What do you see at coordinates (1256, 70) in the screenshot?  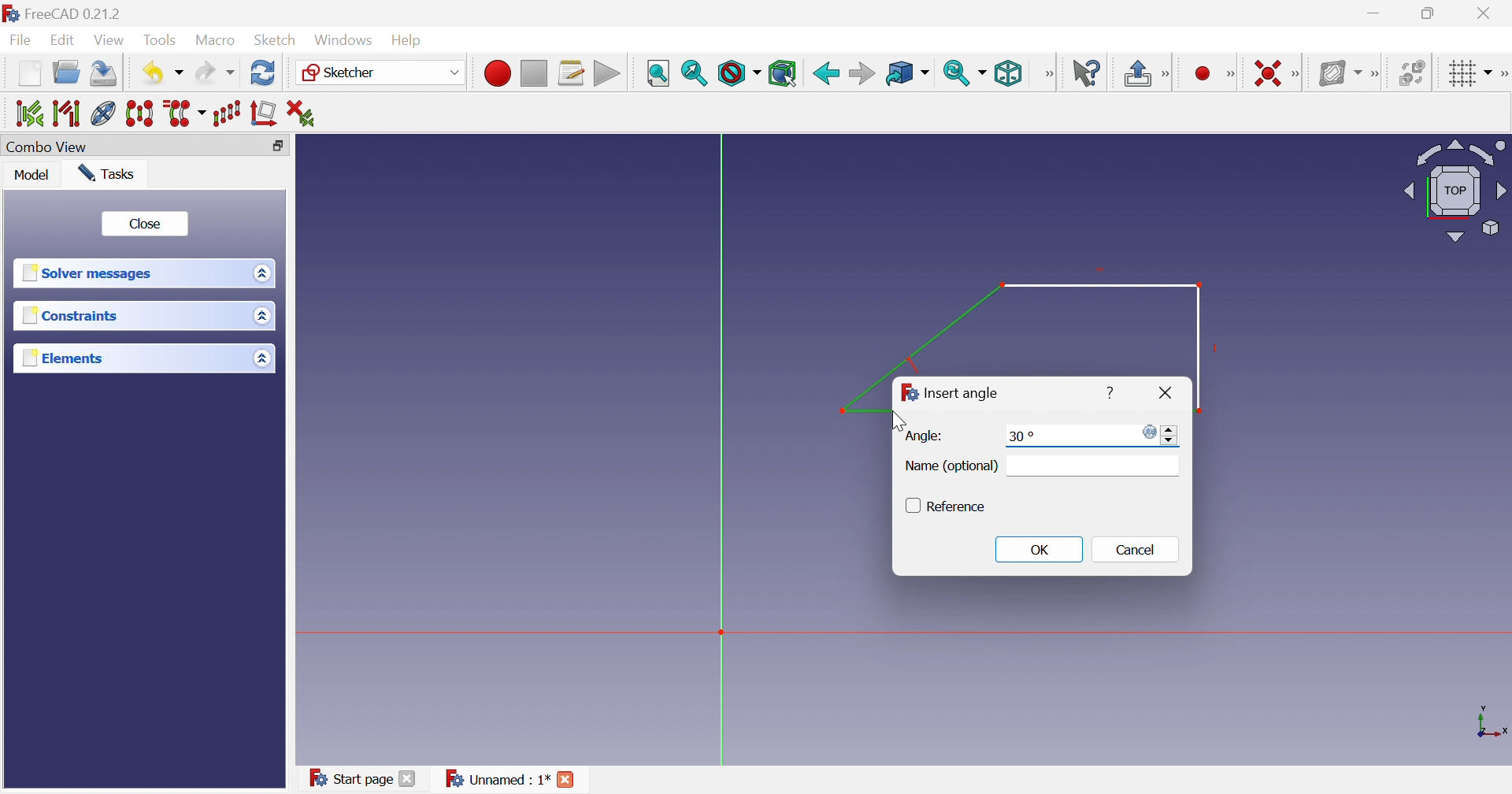 I see `Constraint Horizontally` at bounding box center [1256, 70].